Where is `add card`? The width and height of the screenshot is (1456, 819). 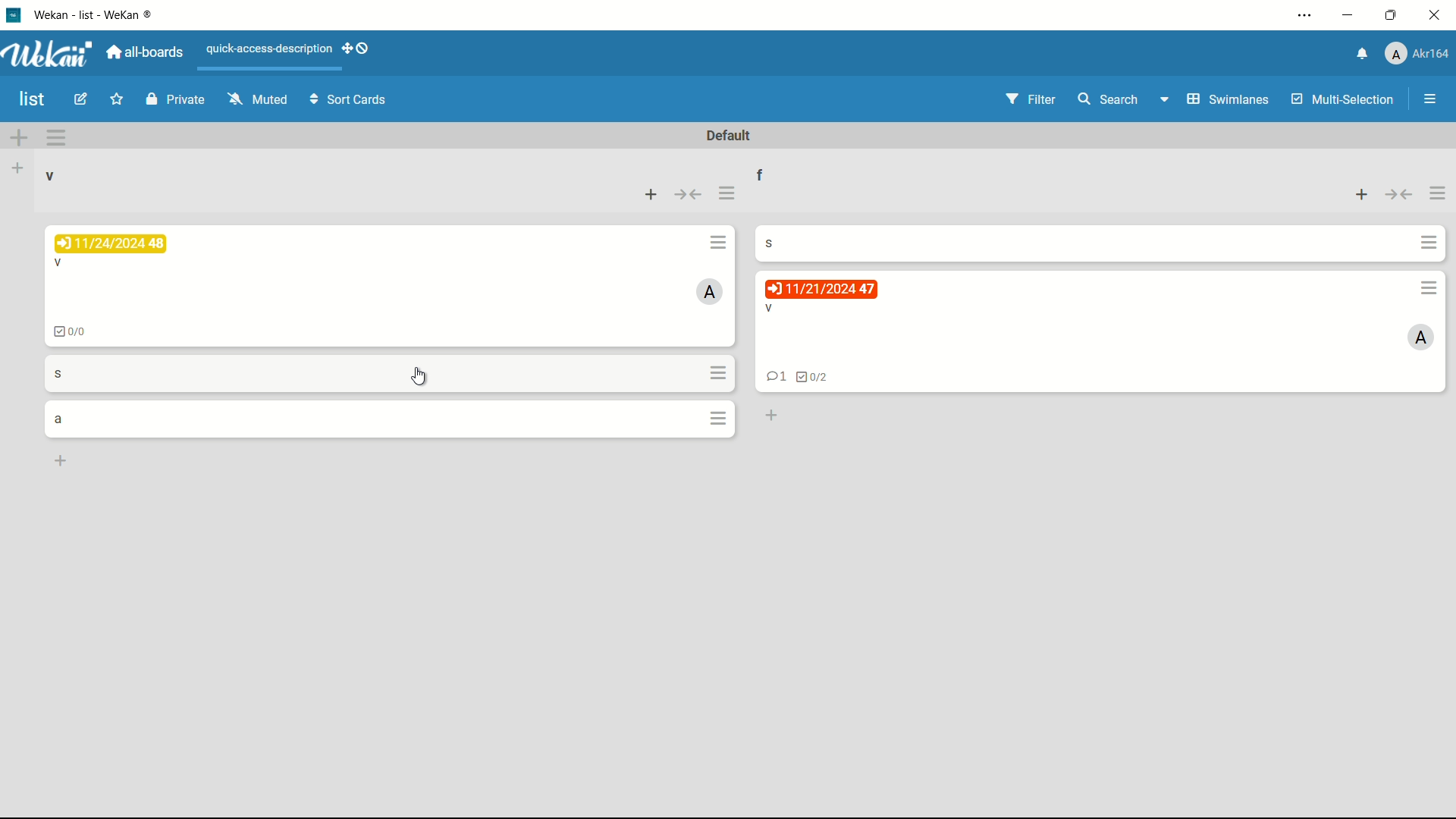
add card is located at coordinates (771, 416).